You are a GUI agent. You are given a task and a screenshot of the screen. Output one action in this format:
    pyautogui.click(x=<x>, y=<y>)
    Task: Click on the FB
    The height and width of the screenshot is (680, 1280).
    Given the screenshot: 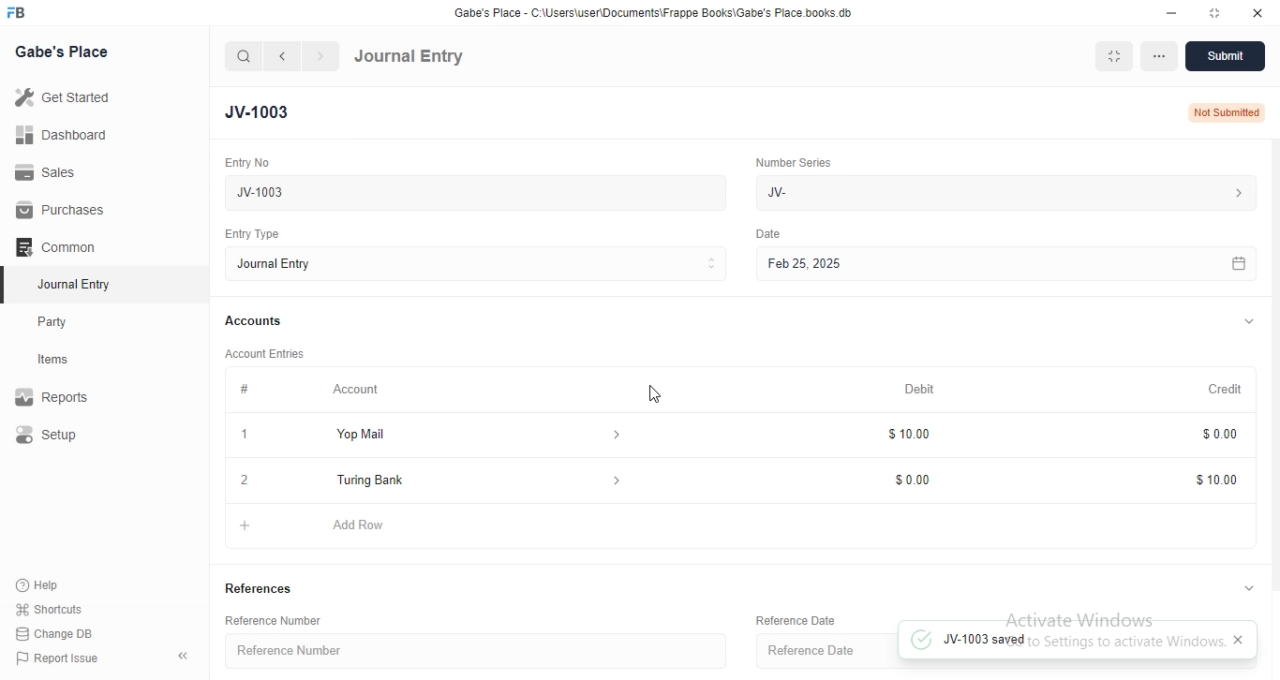 What is the action you would take?
    pyautogui.click(x=18, y=13)
    